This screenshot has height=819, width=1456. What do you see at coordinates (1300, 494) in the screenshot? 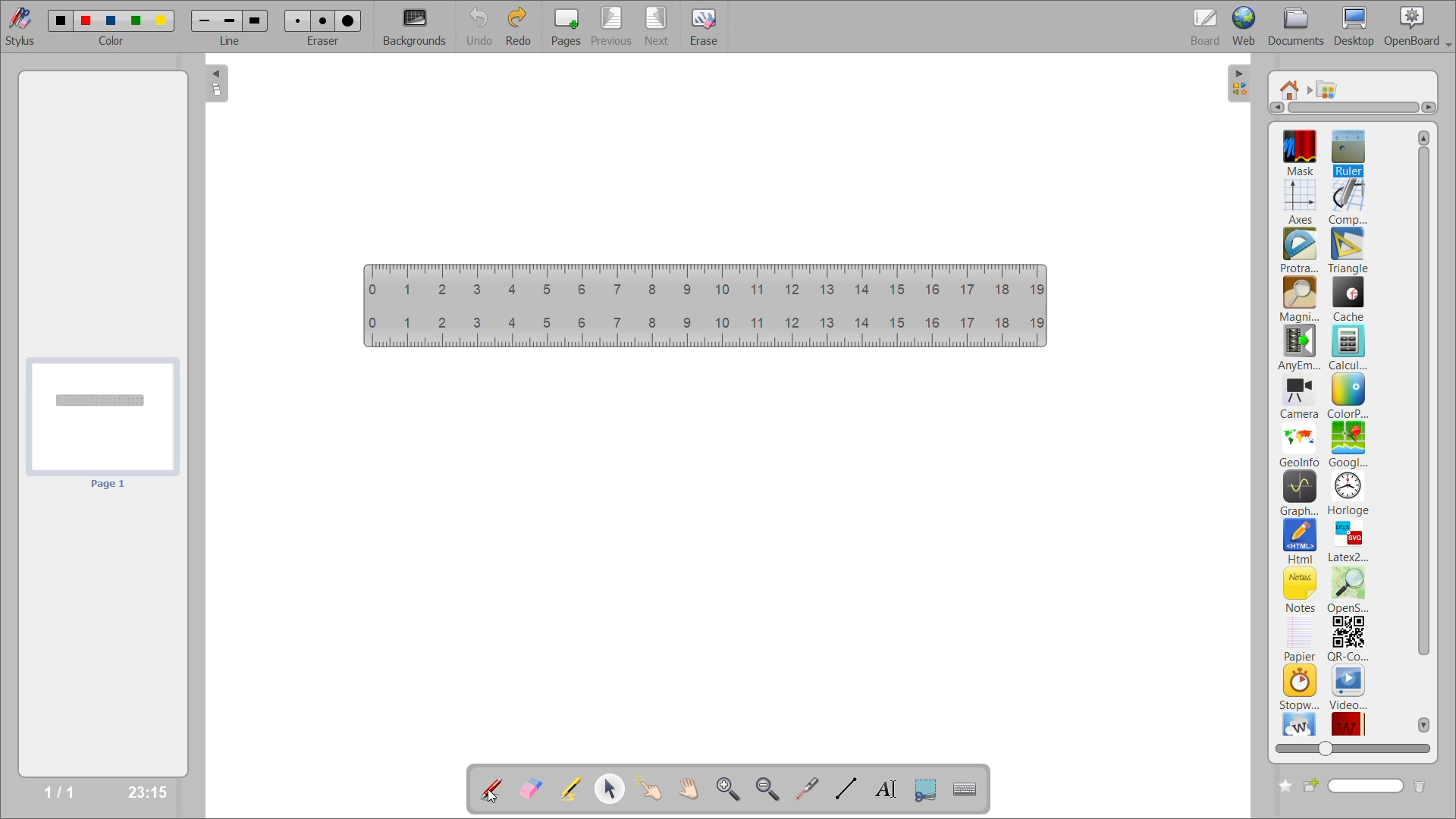
I see `graphme` at bounding box center [1300, 494].